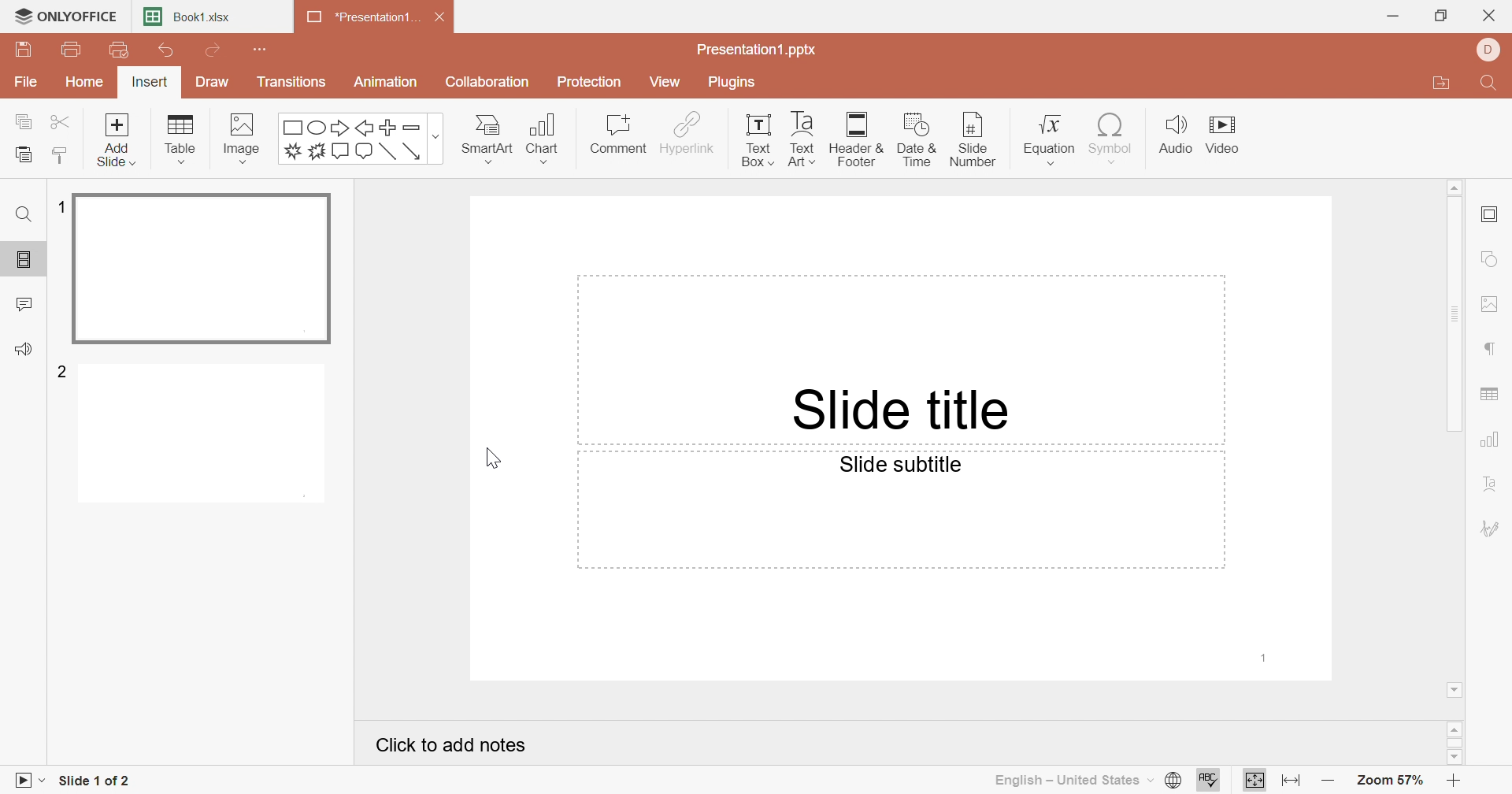 Image resolution: width=1512 pixels, height=794 pixels. I want to click on Slides, so click(27, 260).